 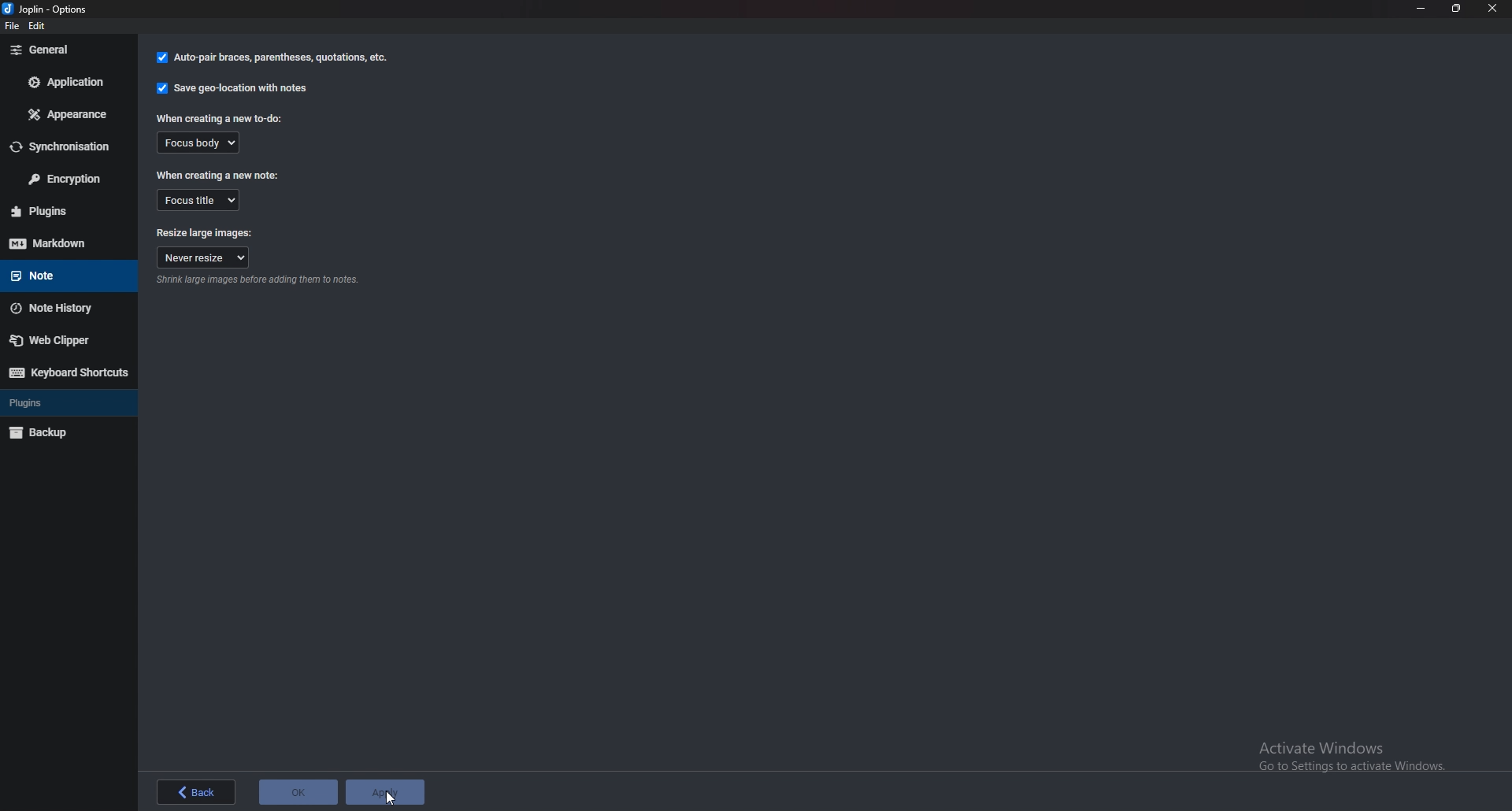 What do you see at coordinates (206, 234) in the screenshot?
I see `Resize large images` at bounding box center [206, 234].